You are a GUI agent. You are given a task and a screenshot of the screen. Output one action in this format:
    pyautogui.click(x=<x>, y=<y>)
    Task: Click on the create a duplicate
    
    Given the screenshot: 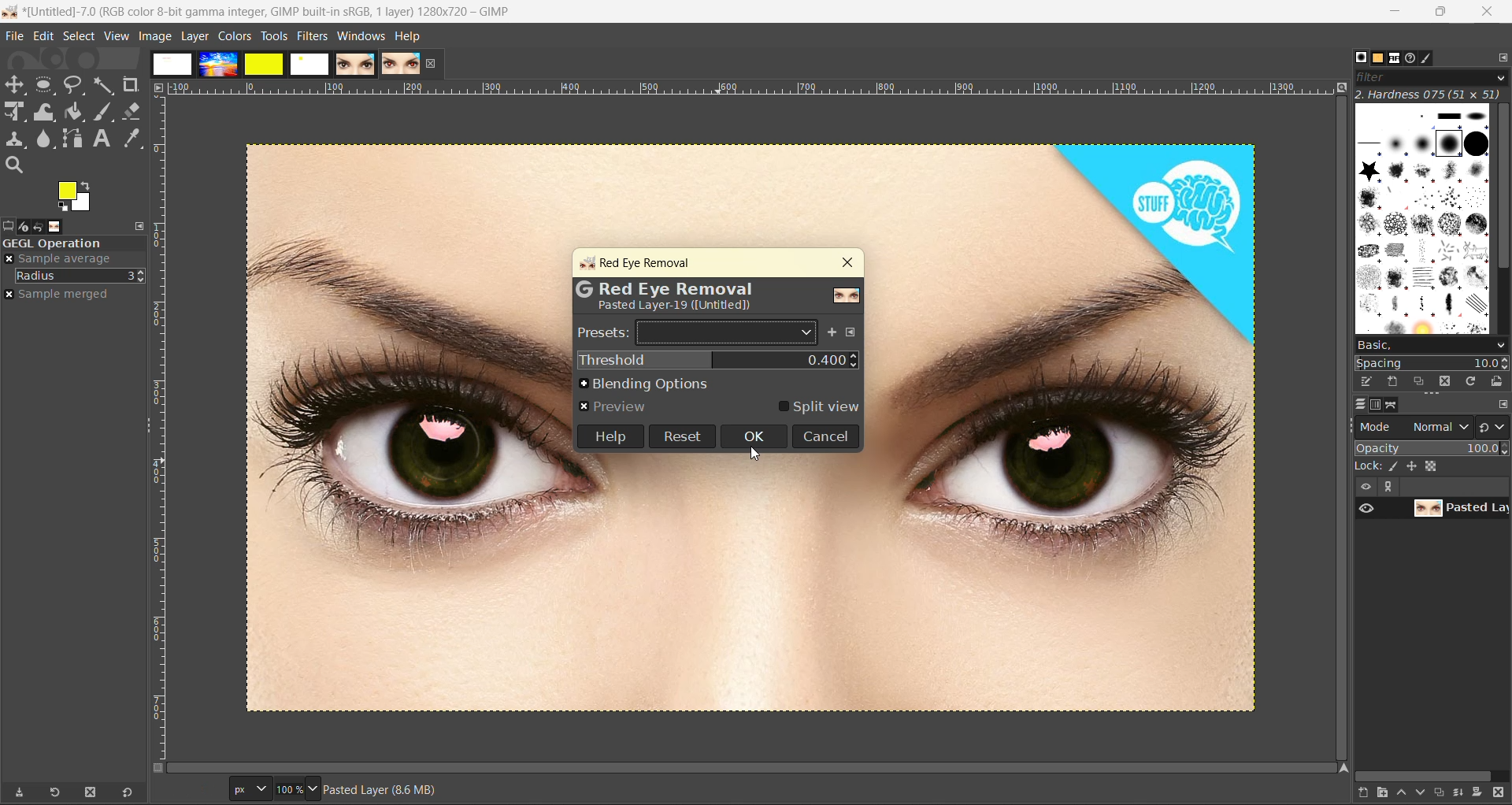 What is the action you would take?
    pyautogui.click(x=1440, y=793)
    